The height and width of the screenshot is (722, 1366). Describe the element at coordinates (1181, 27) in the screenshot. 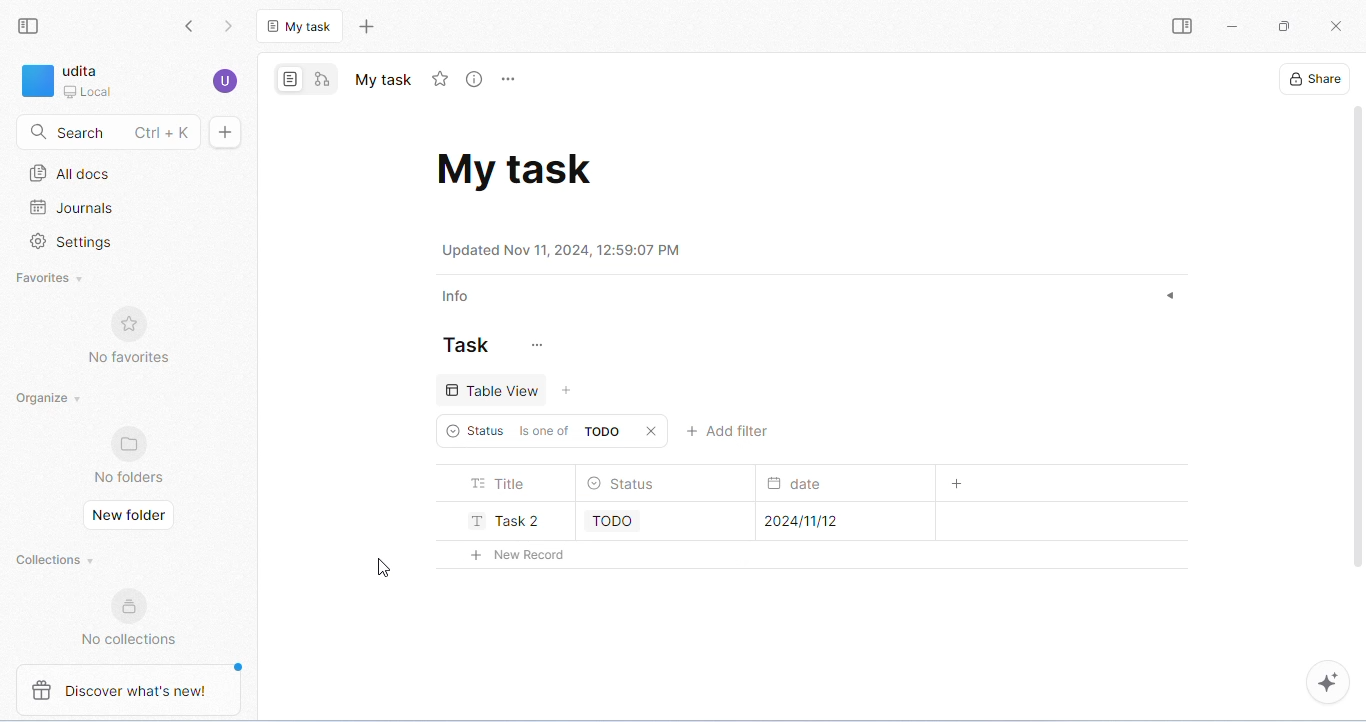

I see `open sidebar` at that location.